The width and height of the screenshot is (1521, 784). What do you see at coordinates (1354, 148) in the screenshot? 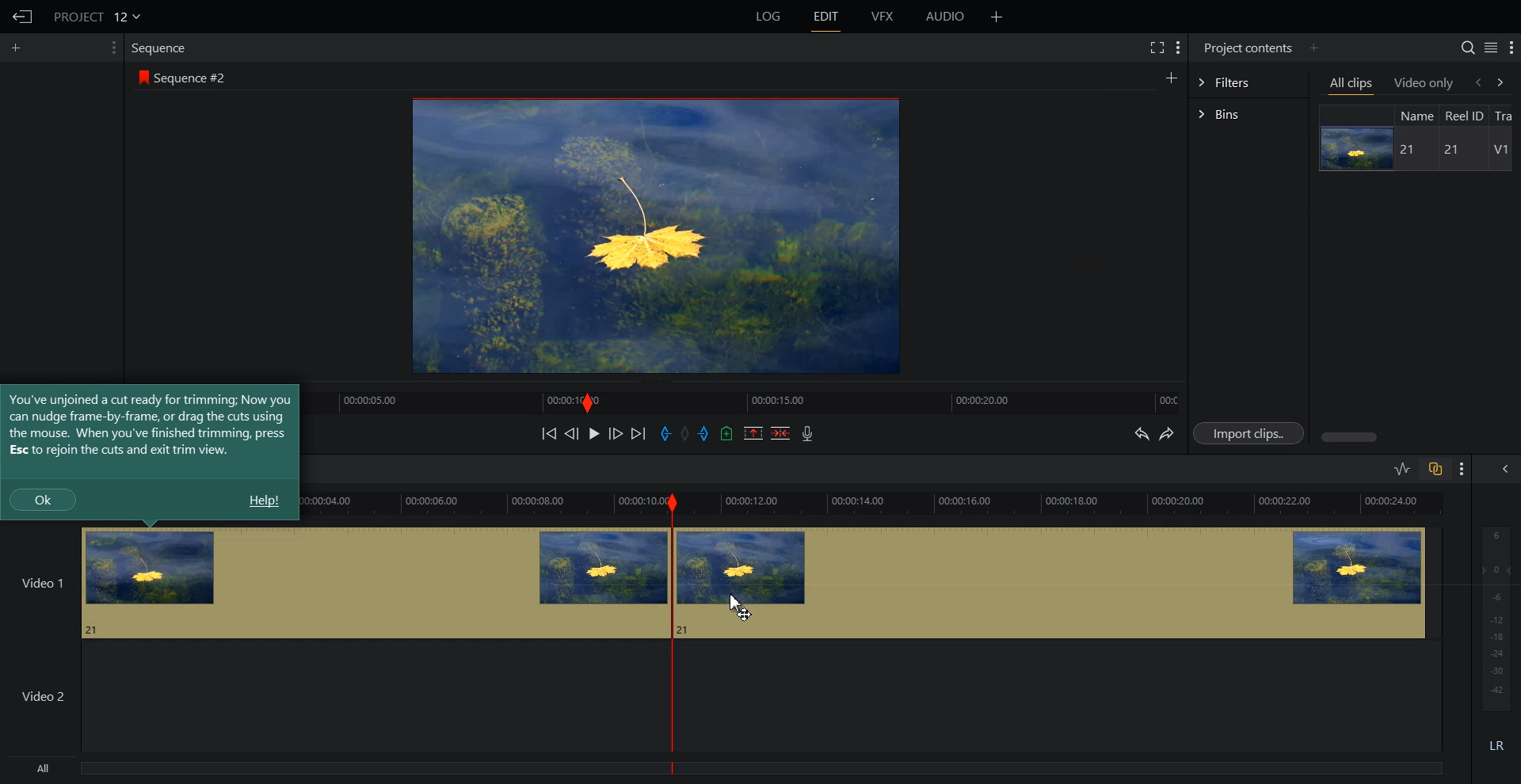
I see `Image` at bounding box center [1354, 148].